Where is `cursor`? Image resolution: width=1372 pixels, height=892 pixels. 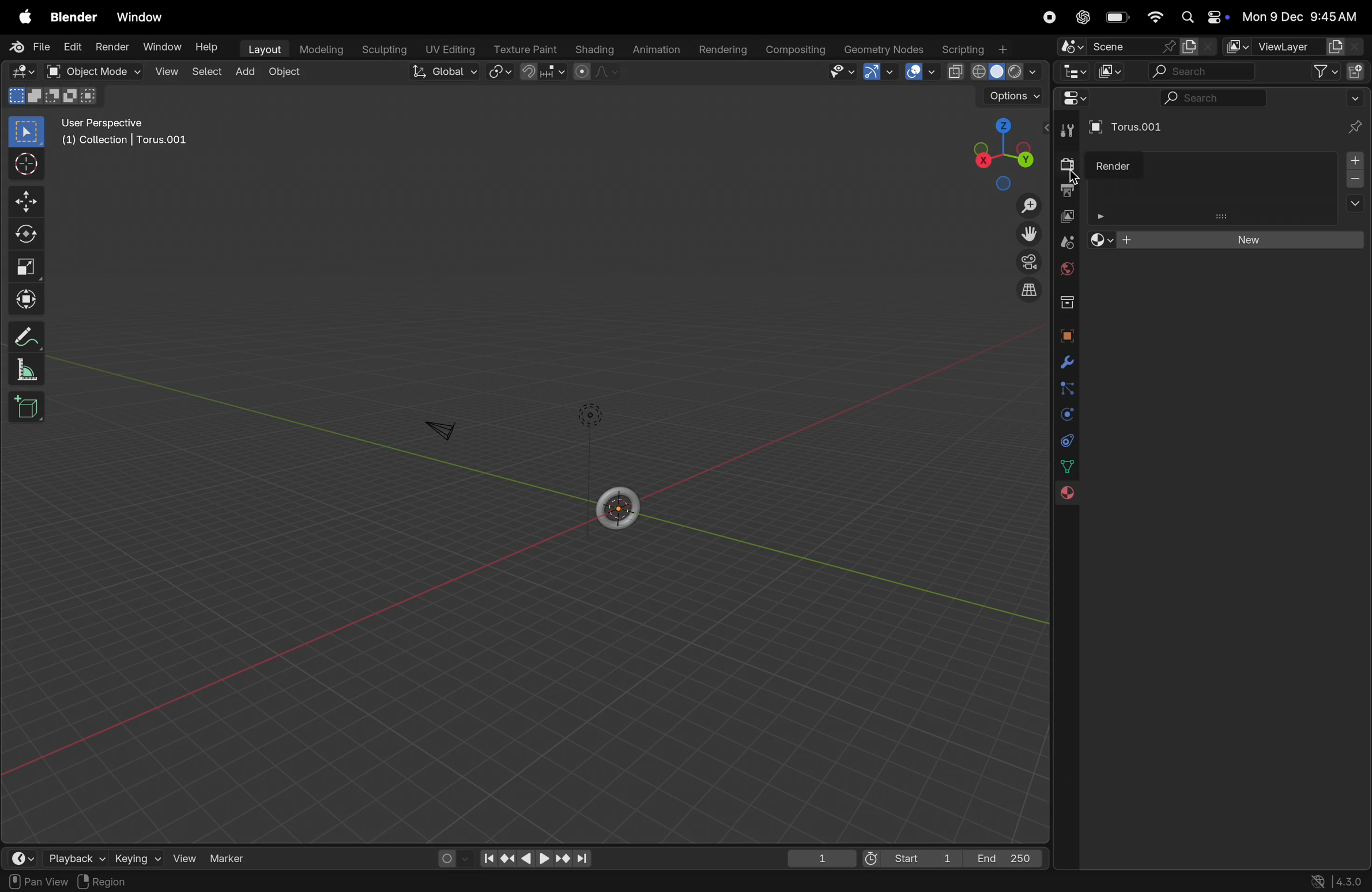
cursor is located at coordinates (28, 165).